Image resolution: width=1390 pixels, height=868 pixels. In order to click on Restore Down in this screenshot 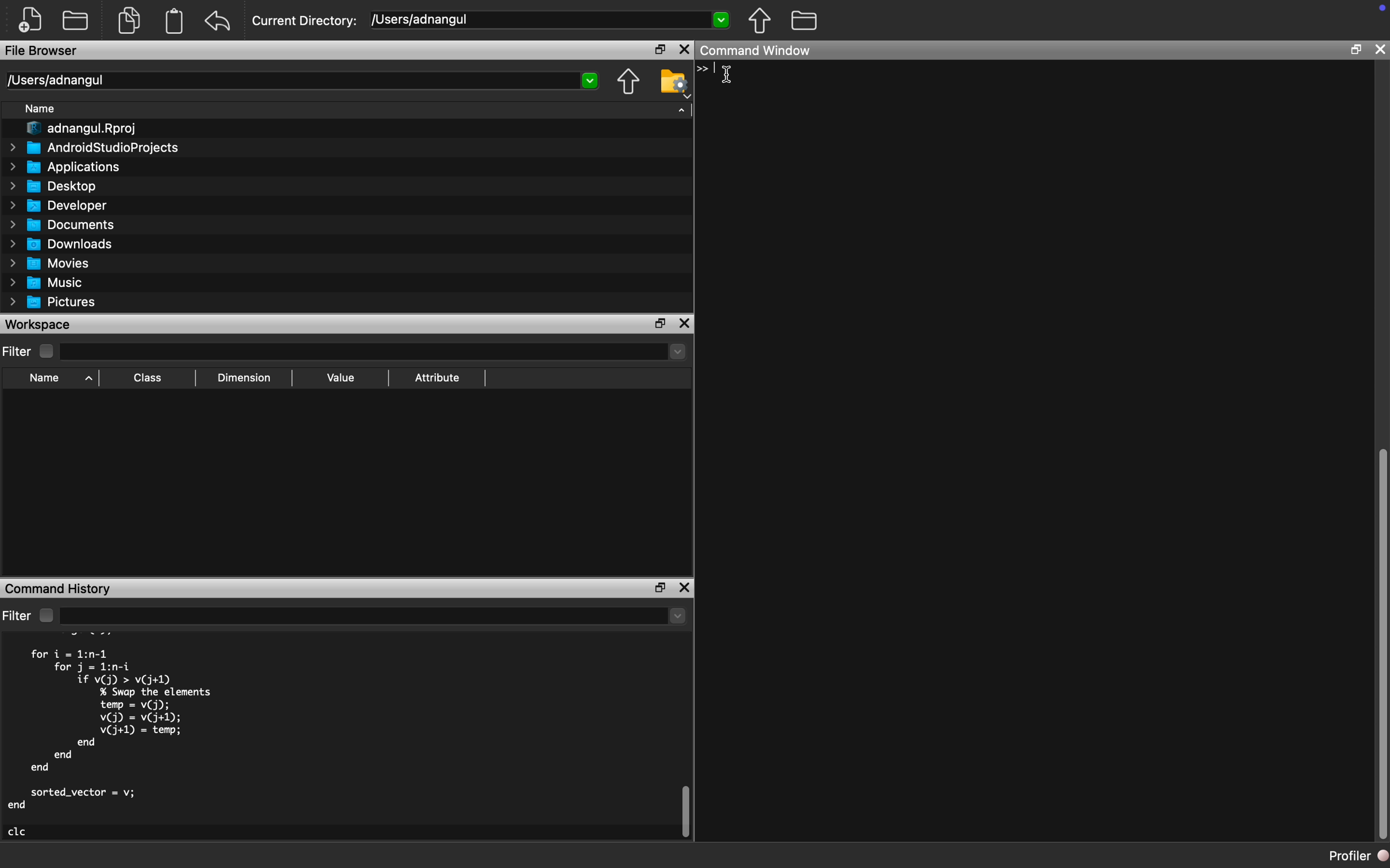, I will do `click(661, 324)`.